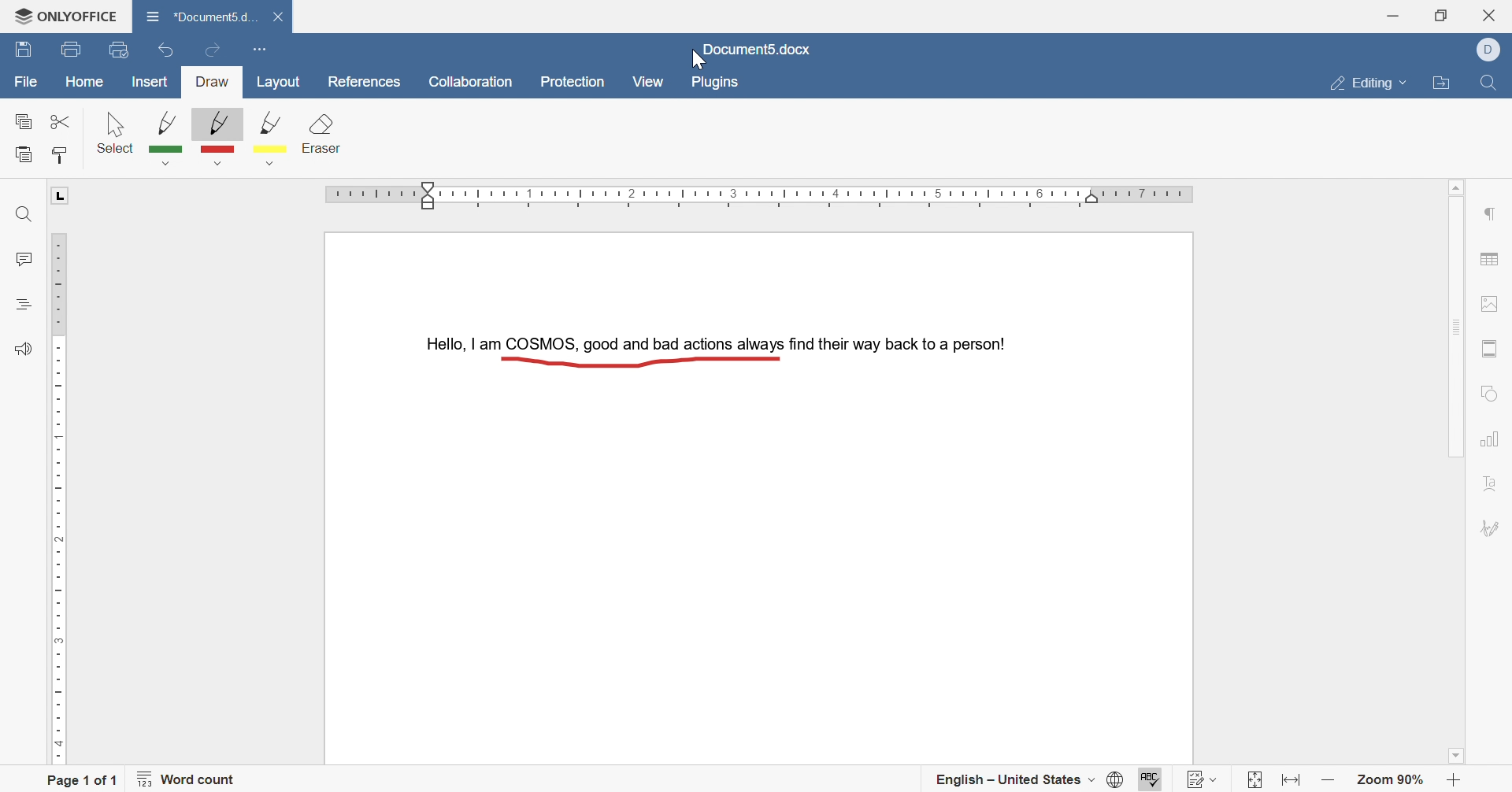 The image size is (1512, 792). Describe the element at coordinates (215, 138) in the screenshot. I see `red pen` at that location.